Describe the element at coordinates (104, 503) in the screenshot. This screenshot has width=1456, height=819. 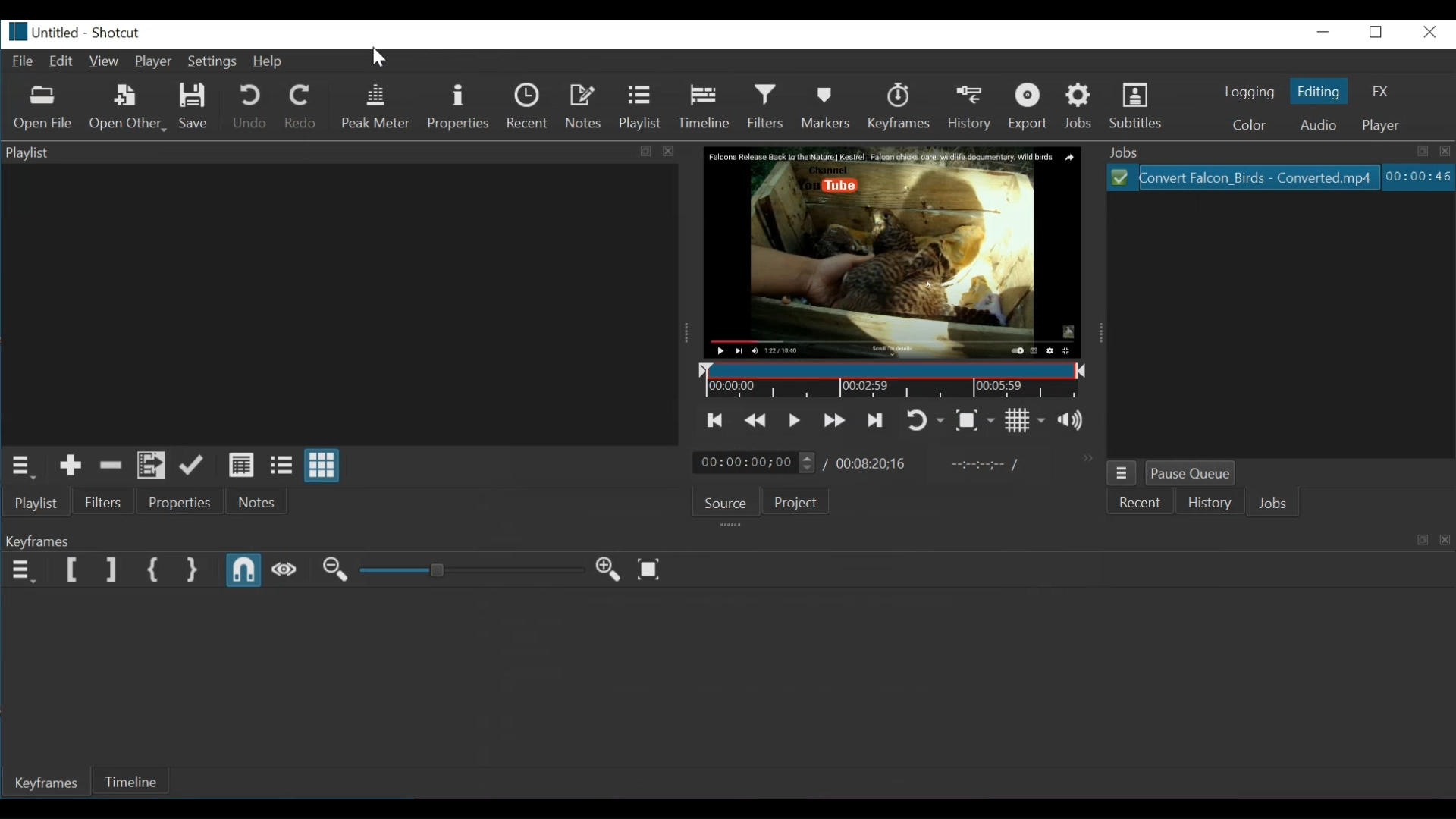
I see `Filter` at that location.